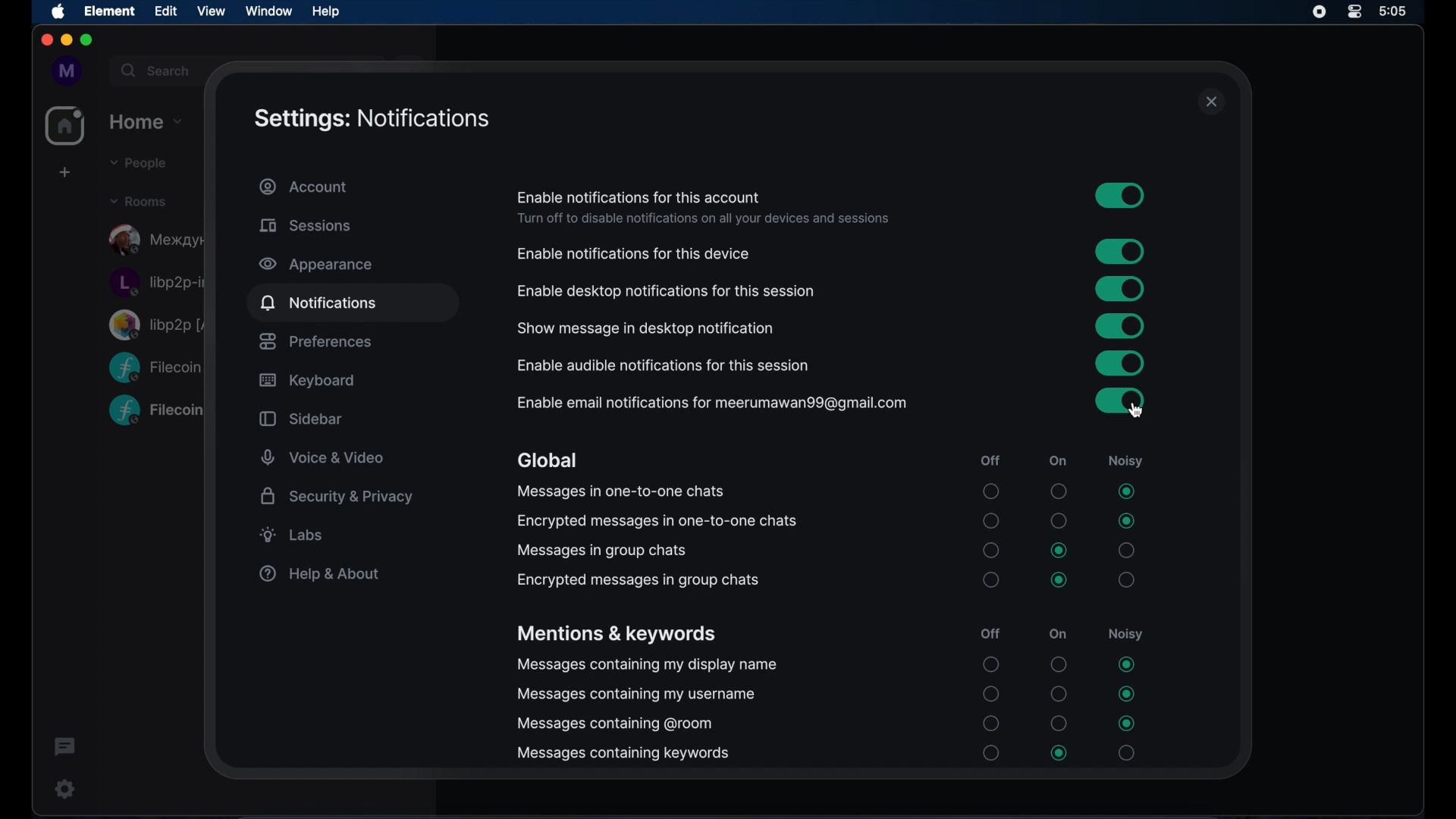 This screenshot has height=819, width=1456. What do you see at coordinates (991, 752) in the screenshot?
I see `radio button` at bounding box center [991, 752].